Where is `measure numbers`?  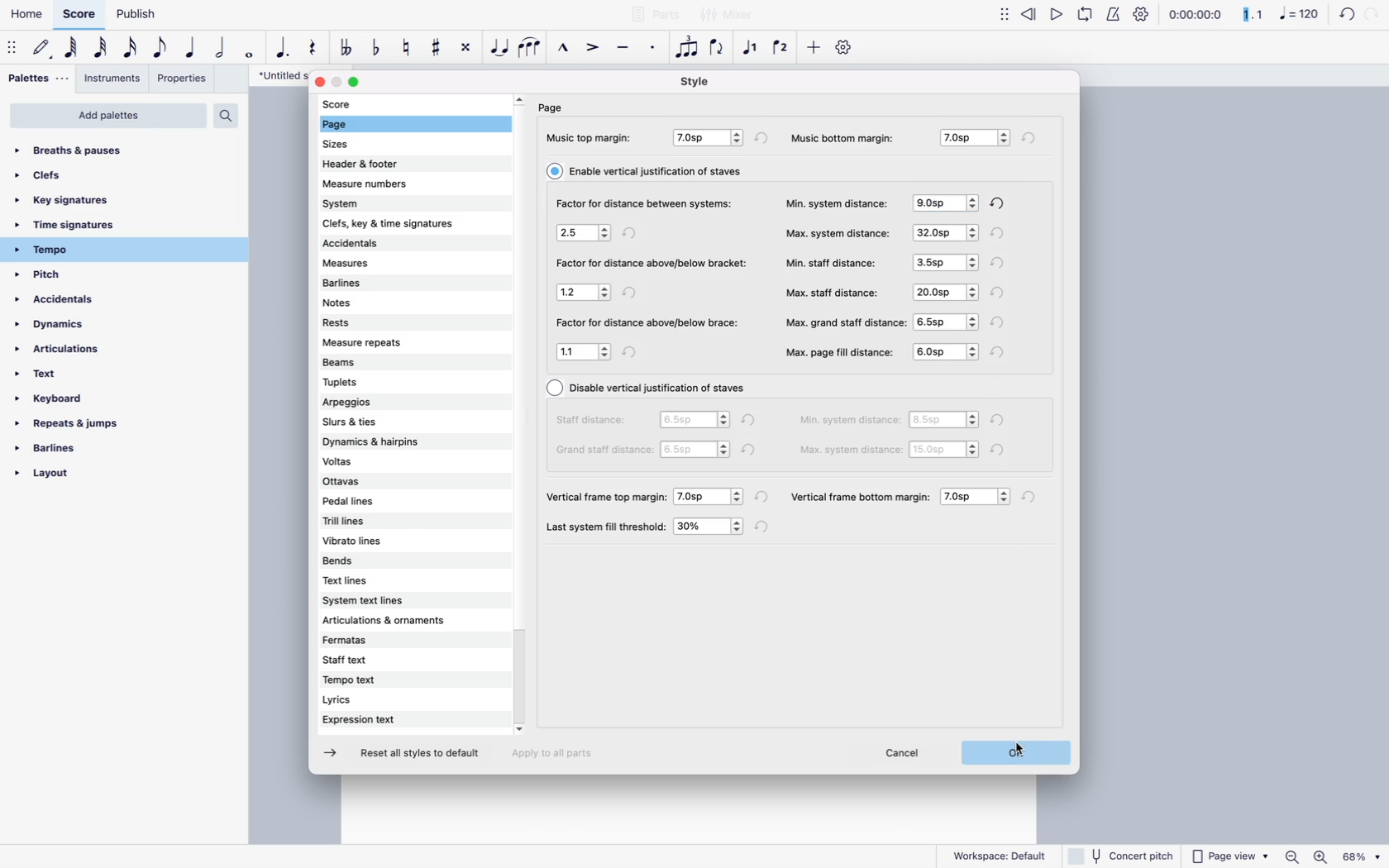
measure numbers is located at coordinates (394, 182).